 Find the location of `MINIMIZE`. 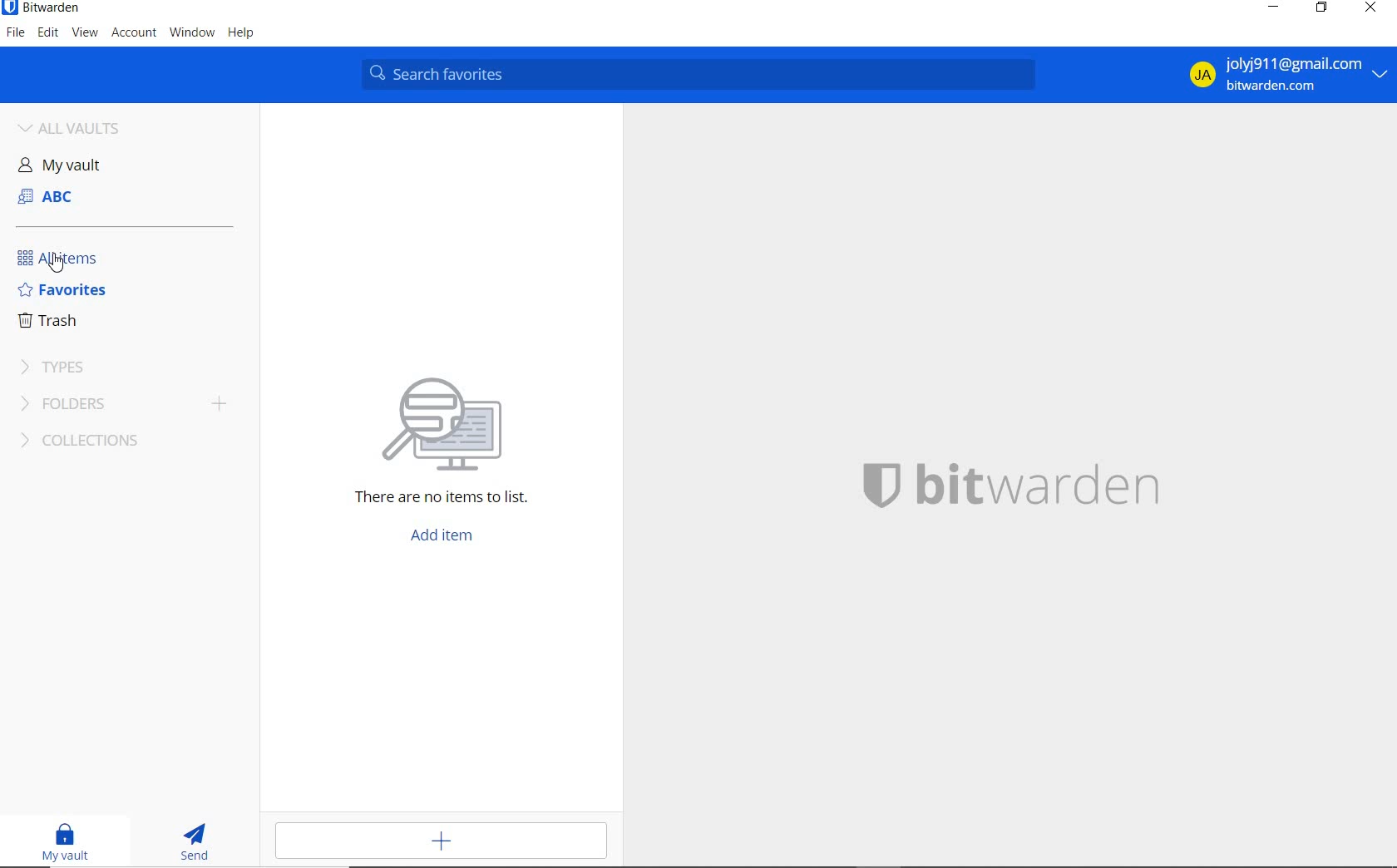

MINIMIZE is located at coordinates (1271, 8).